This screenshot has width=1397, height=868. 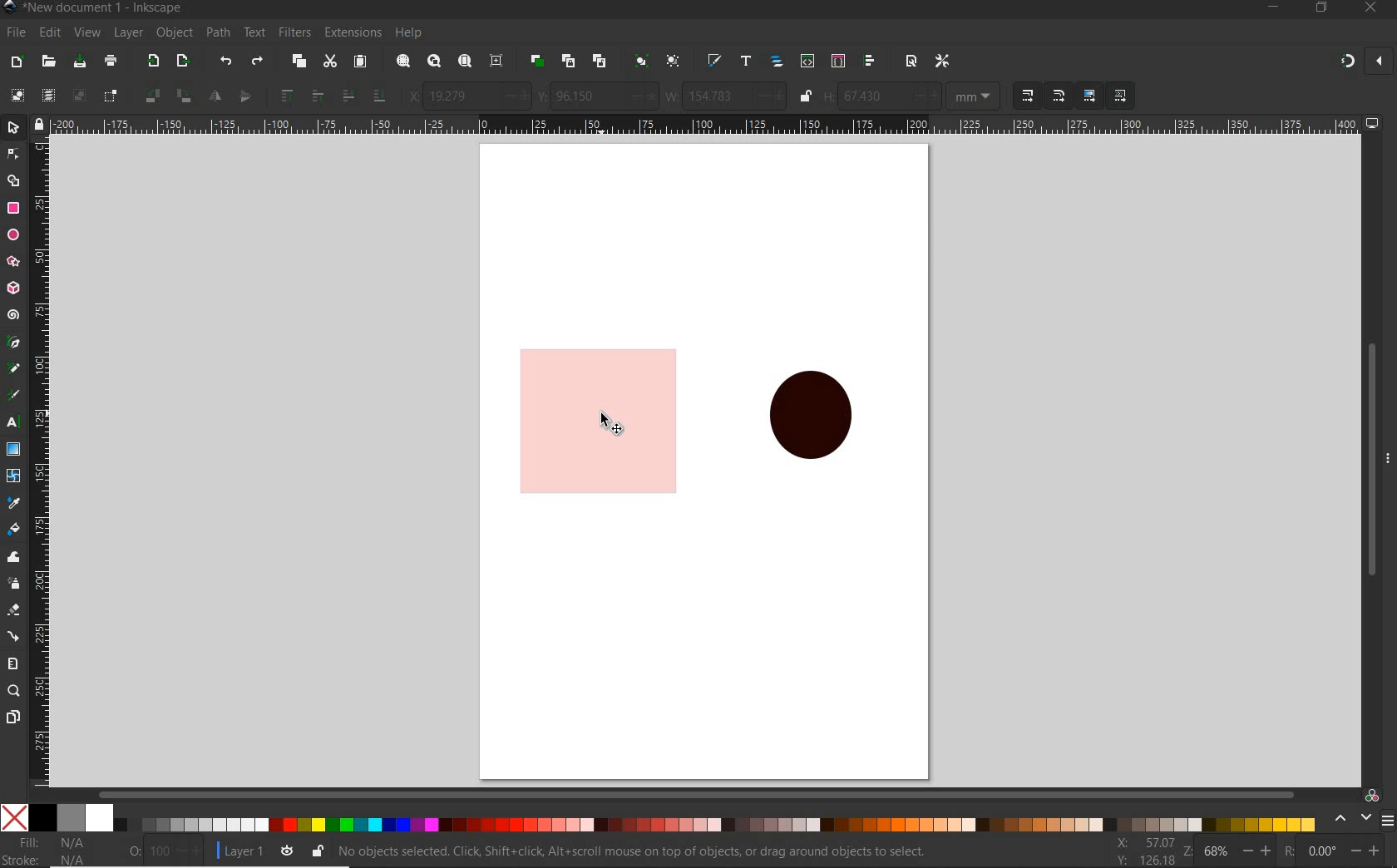 What do you see at coordinates (629, 854) in the screenshot?
I see `no object selected` at bounding box center [629, 854].